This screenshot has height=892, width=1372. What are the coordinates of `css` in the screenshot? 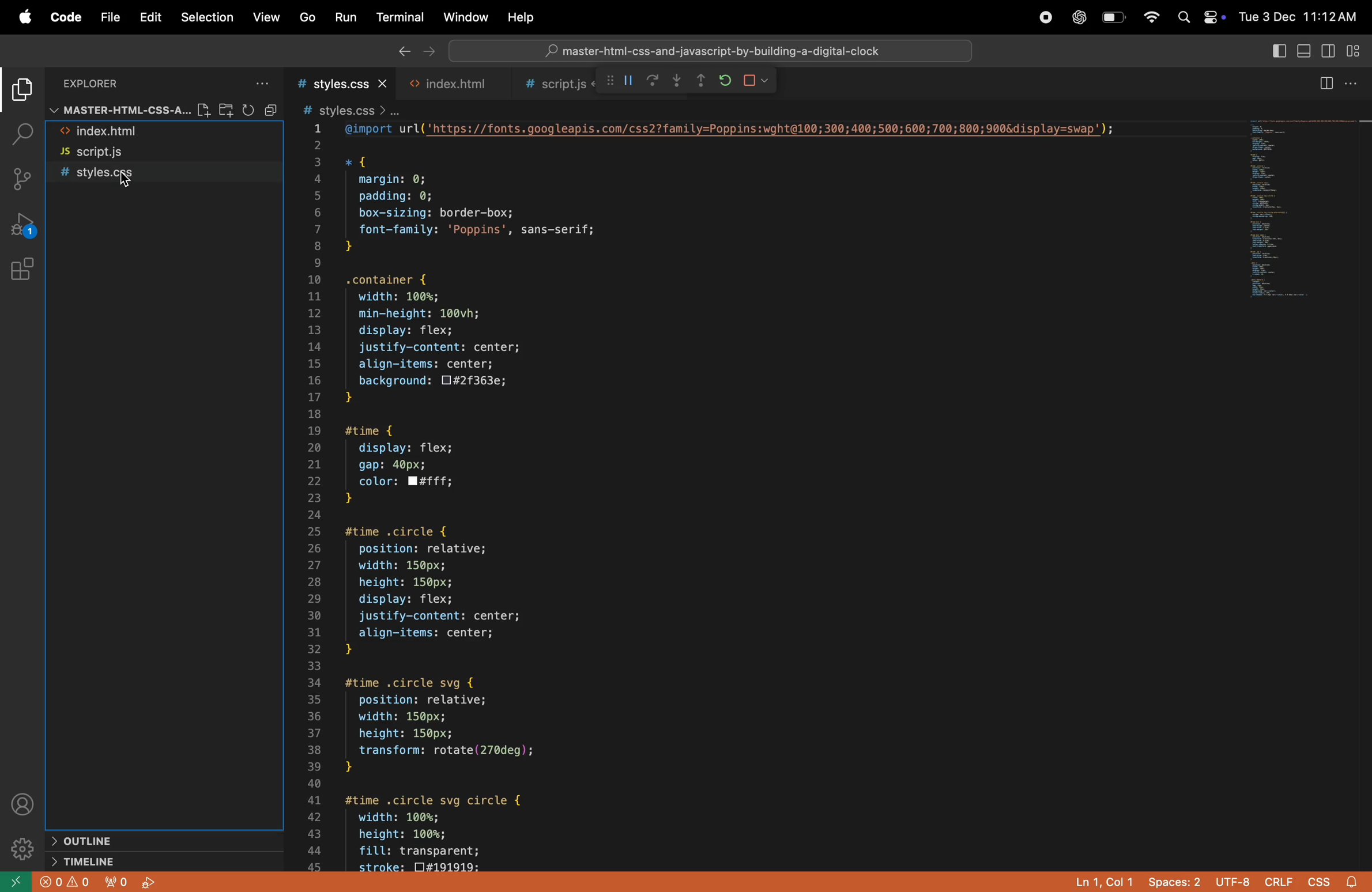 It's located at (1320, 880).